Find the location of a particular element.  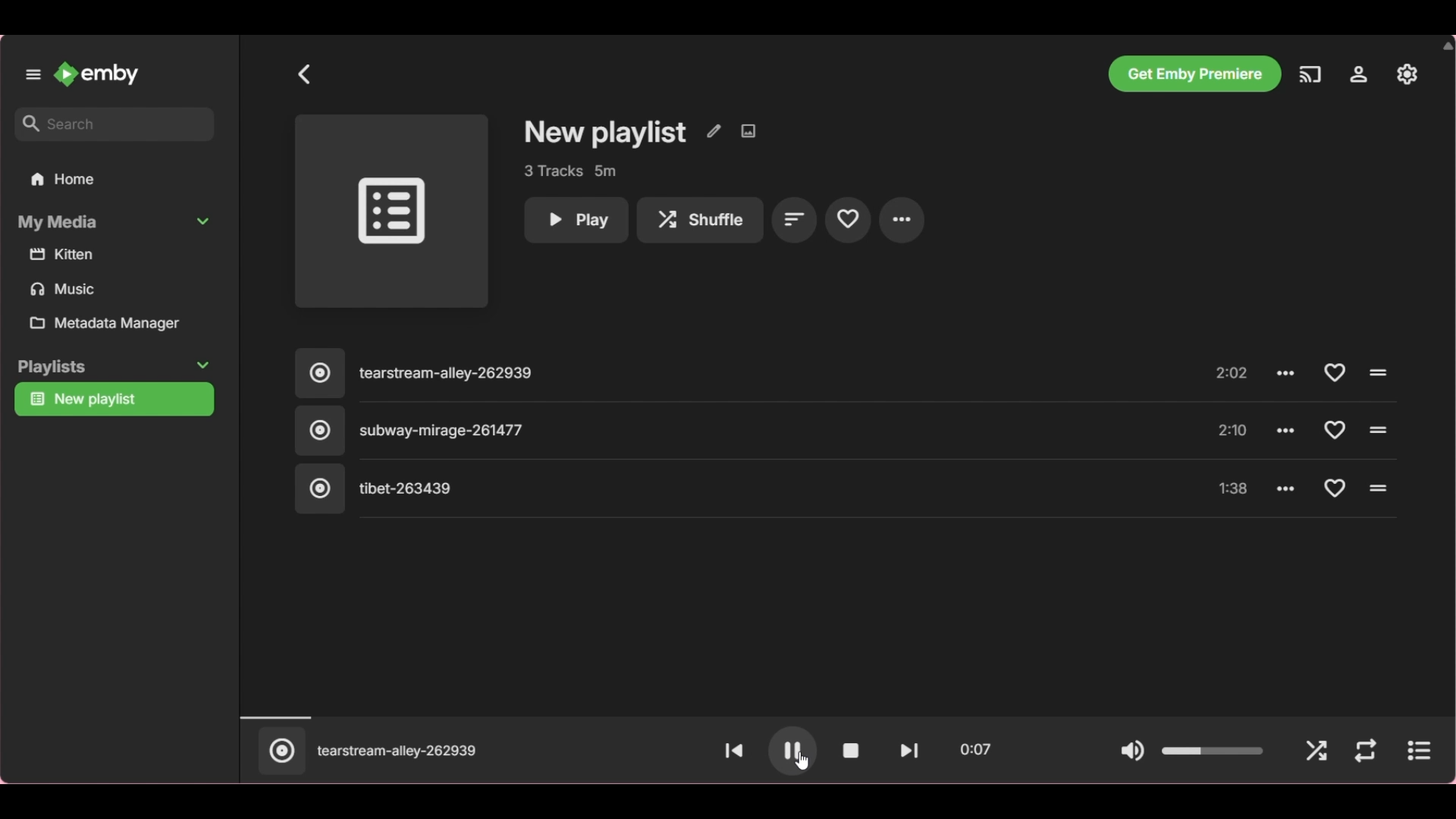

cursor is located at coordinates (802, 761).